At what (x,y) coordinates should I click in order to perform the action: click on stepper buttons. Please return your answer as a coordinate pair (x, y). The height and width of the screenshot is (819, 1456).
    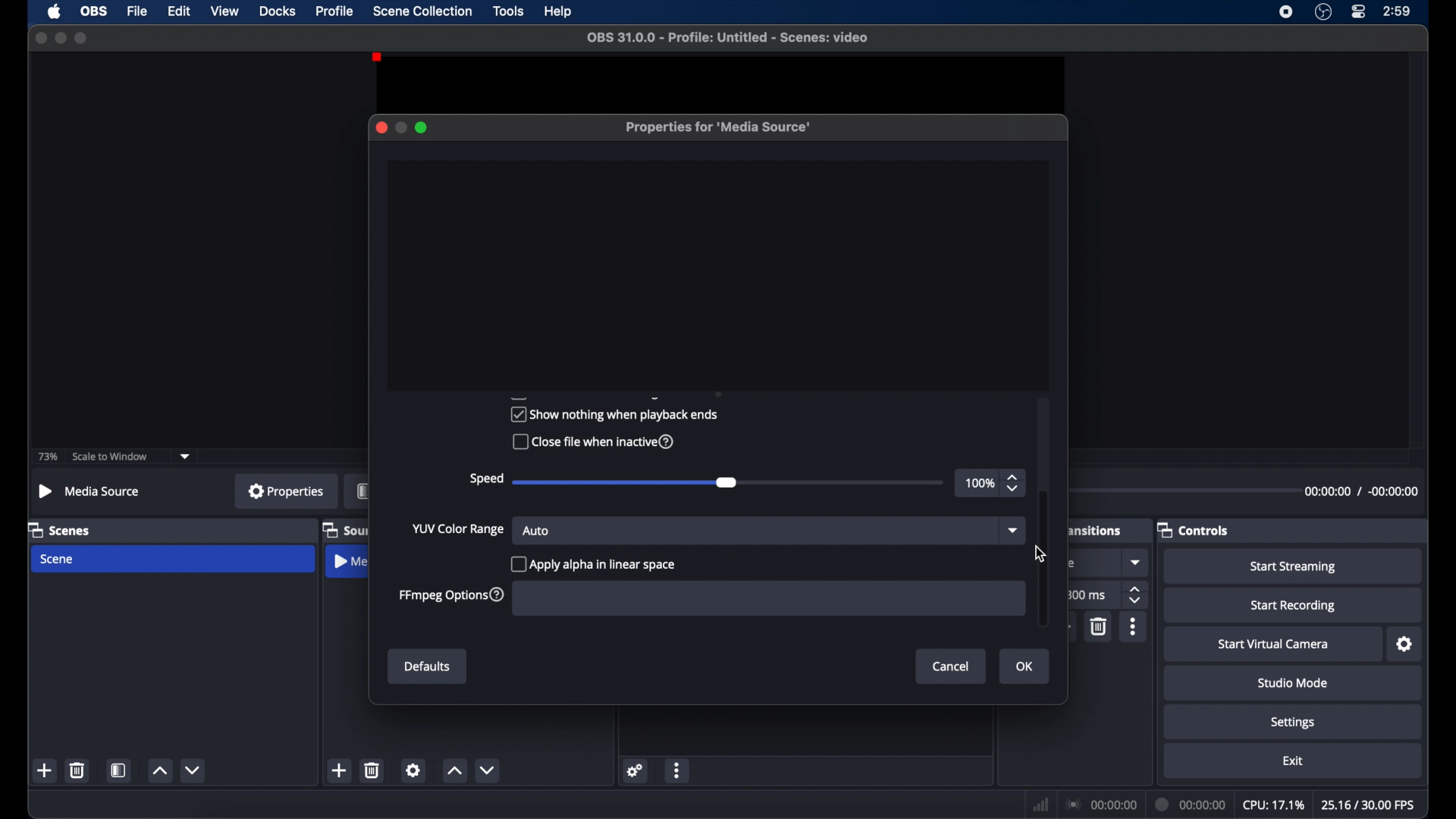
    Looking at the image, I should click on (1136, 595).